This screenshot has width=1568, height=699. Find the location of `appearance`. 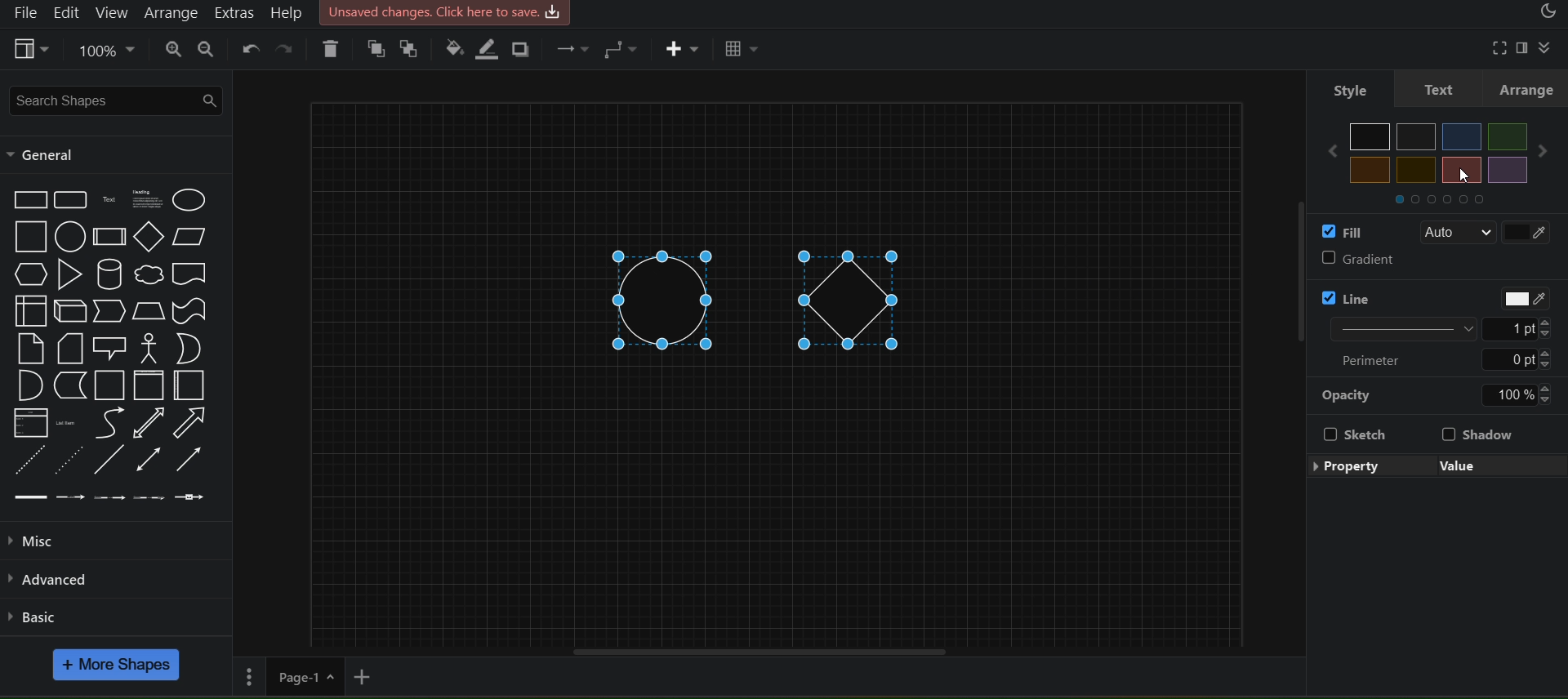

appearance is located at coordinates (1545, 11).